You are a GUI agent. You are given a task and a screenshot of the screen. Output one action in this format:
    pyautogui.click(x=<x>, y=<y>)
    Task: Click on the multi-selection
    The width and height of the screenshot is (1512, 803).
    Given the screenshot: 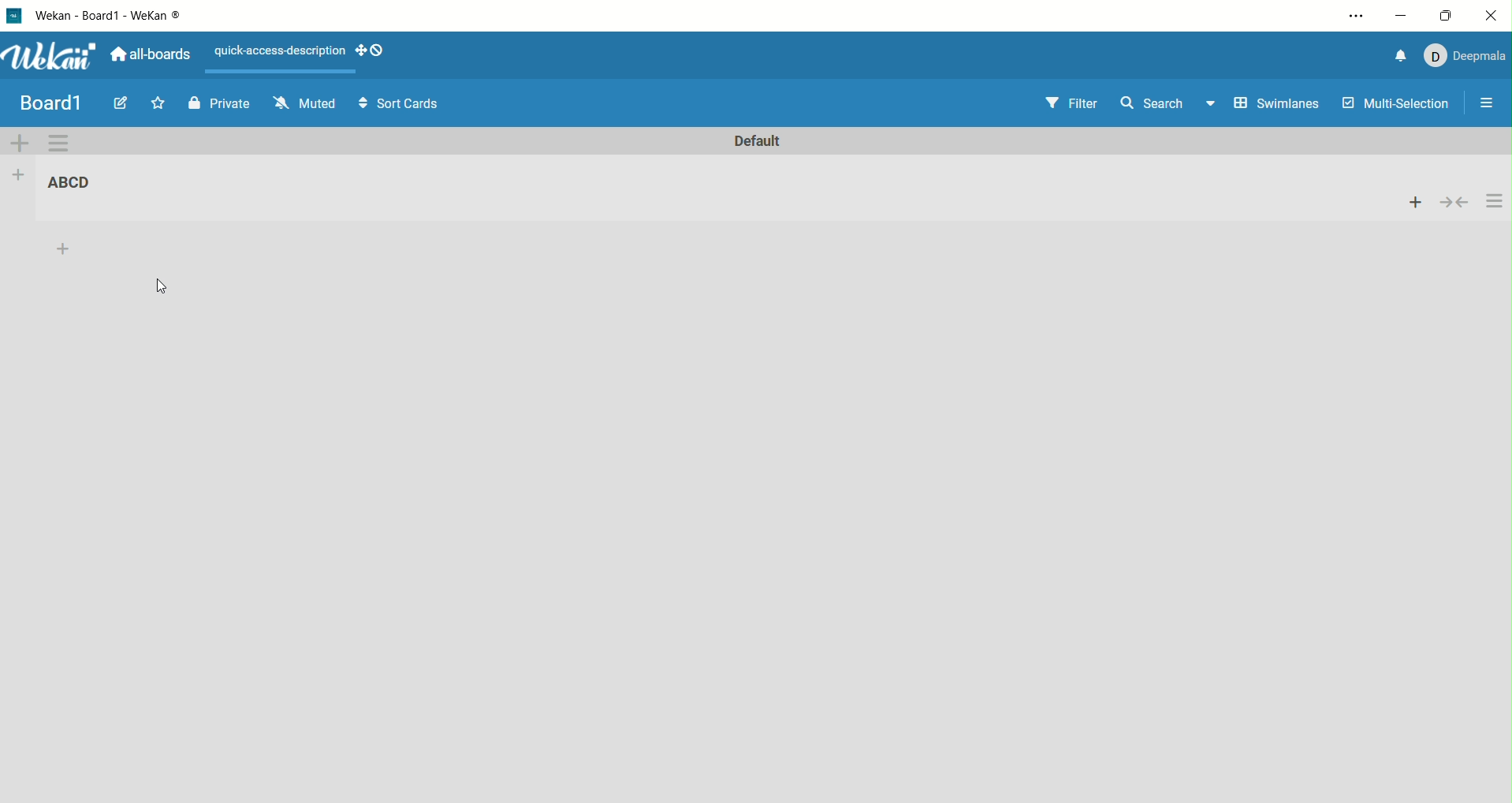 What is the action you would take?
    pyautogui.click(x=1398, y=104)
    